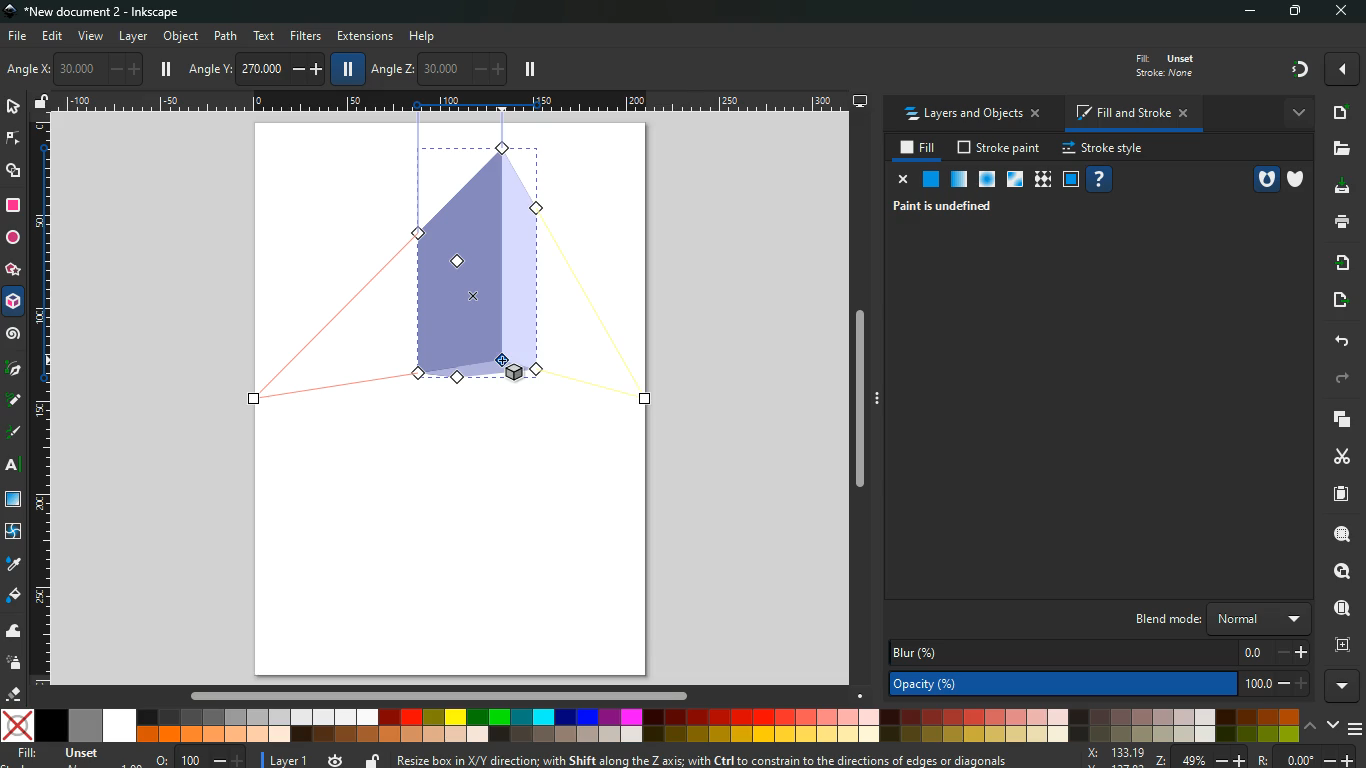  I want to click on frame, so click(1071, 180).